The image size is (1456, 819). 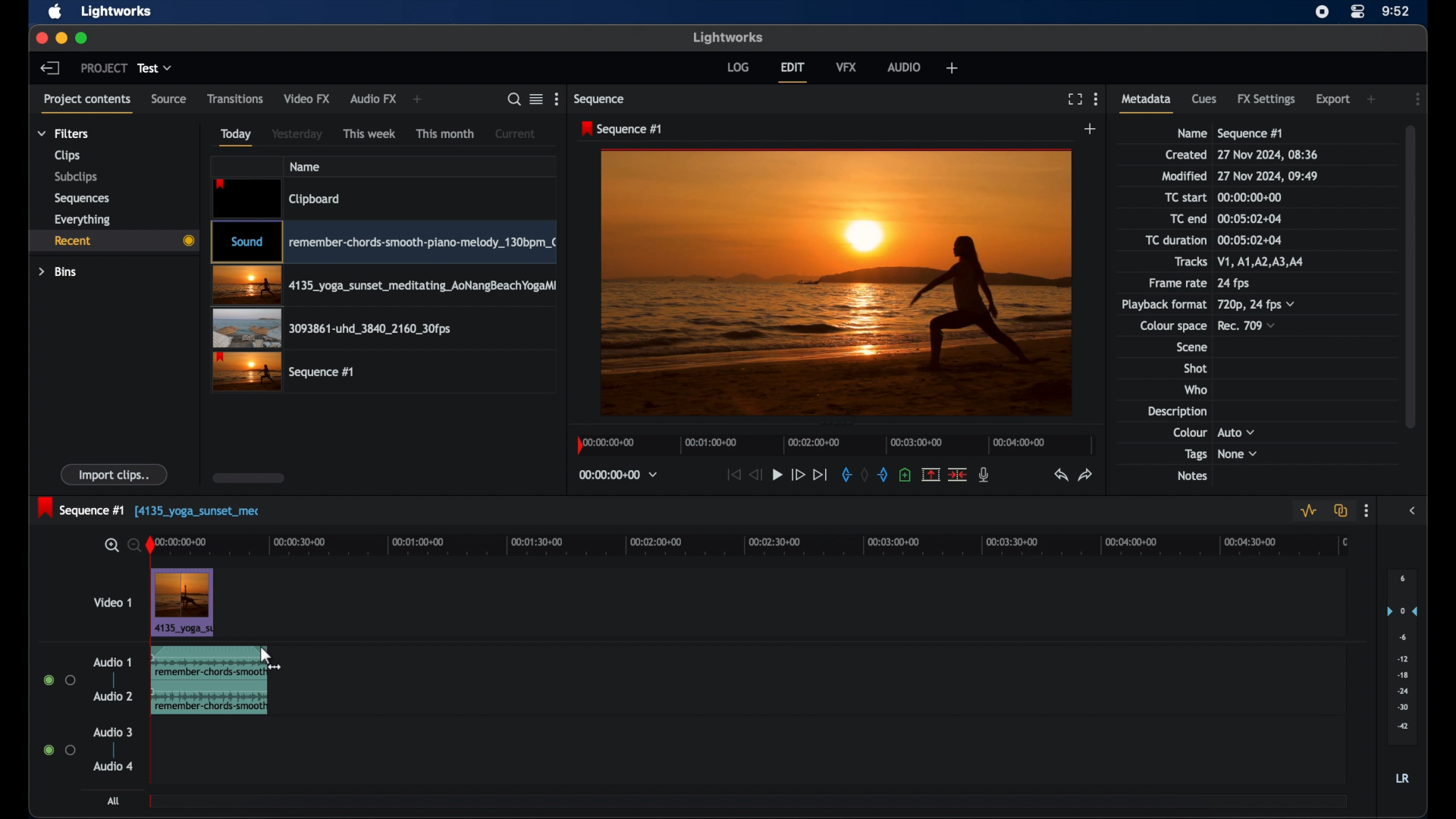 What do you see at coordinates (1412, 511) in the screenshot?
I see `sidebar` at bounding box center [1412, 511].